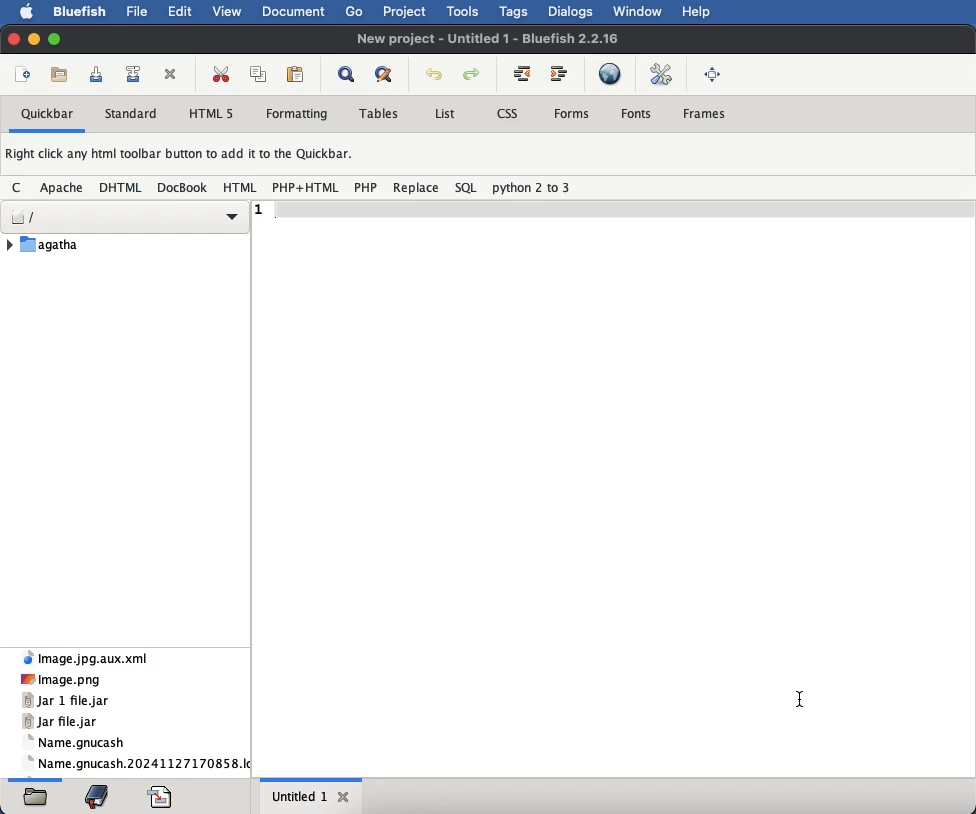  What do you see at coordinates (62, 75) in the screenshot?
I see `open file` at bounding box center [62, 75].